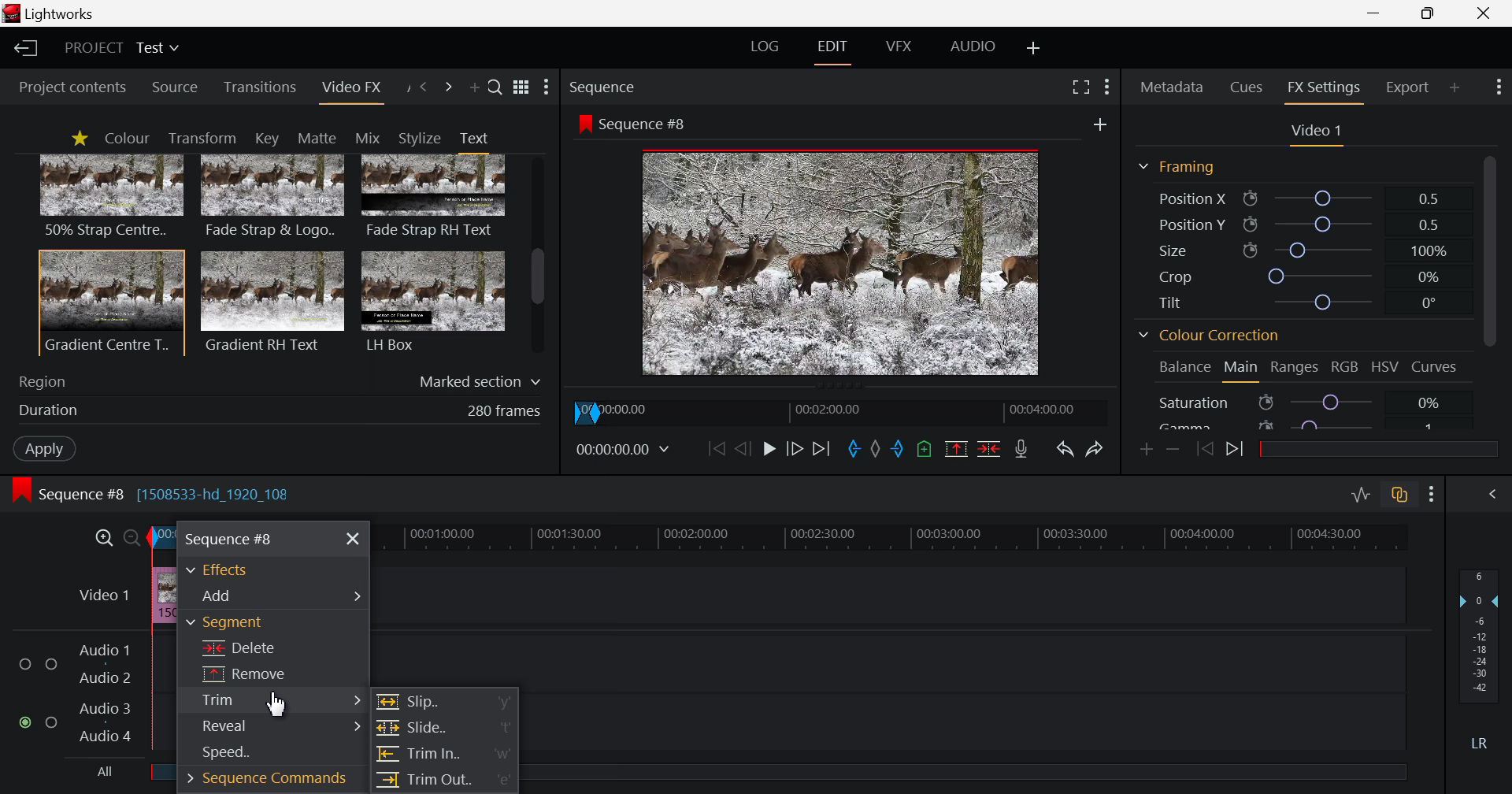 Image resolution: width=1512 pixels, height=794 pixels. Describe the element at coordinates (473, 138) in the screenshot. I see `Text` at that location.